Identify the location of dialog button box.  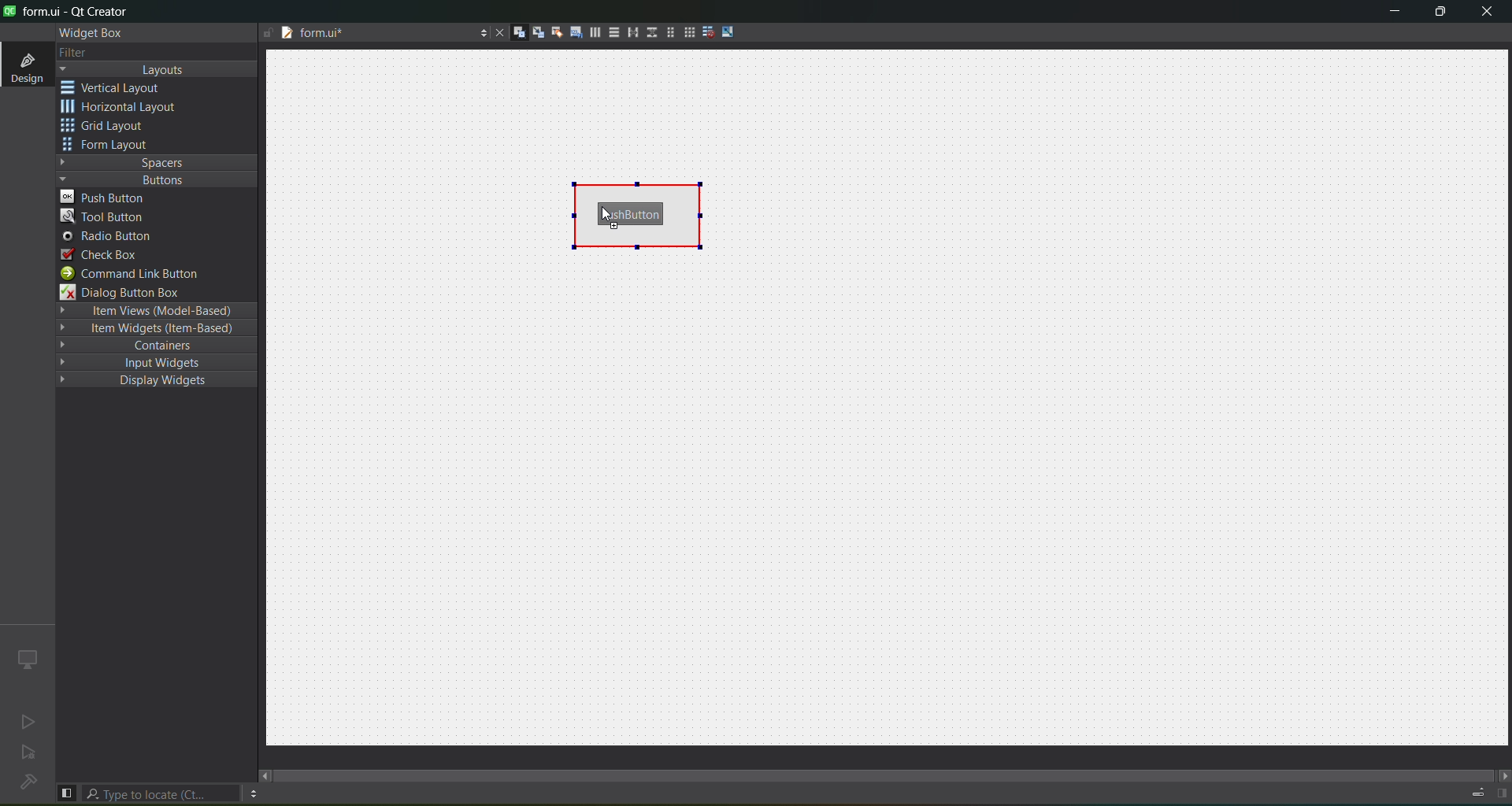
(130, 293).